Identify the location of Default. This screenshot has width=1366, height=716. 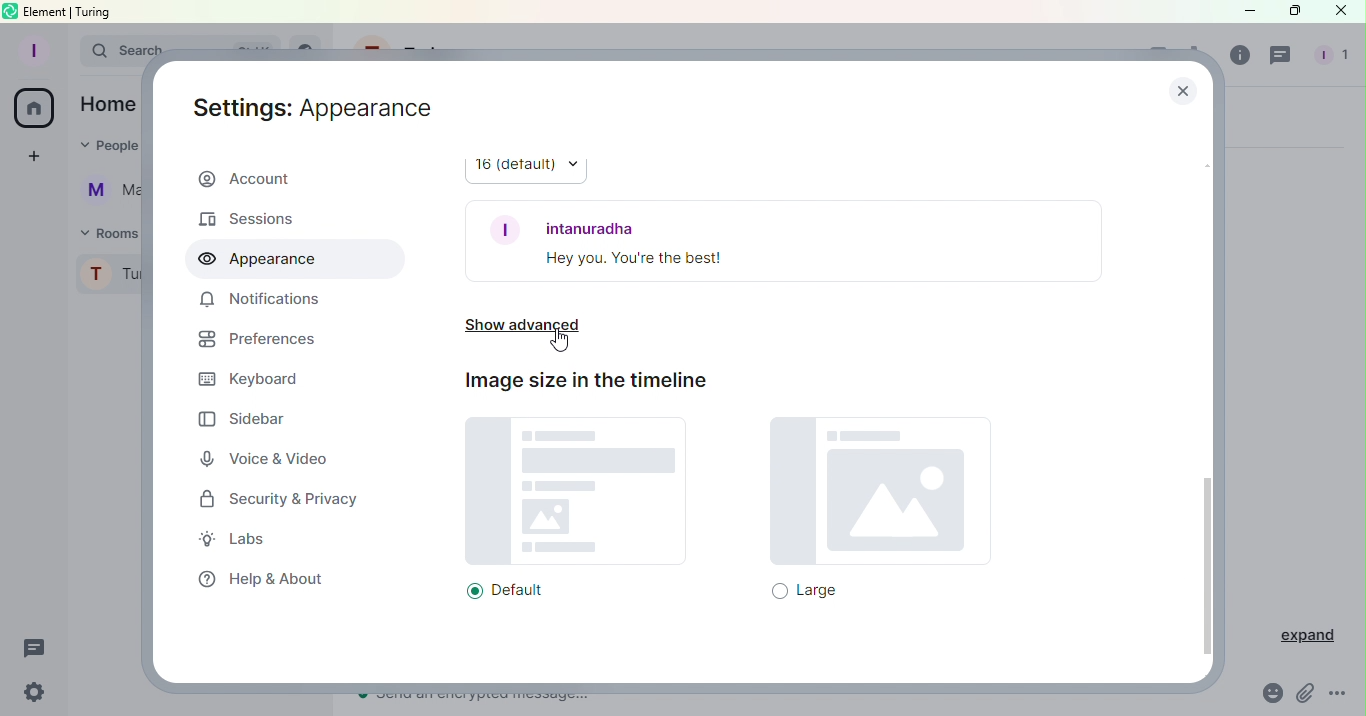
(575, 514).